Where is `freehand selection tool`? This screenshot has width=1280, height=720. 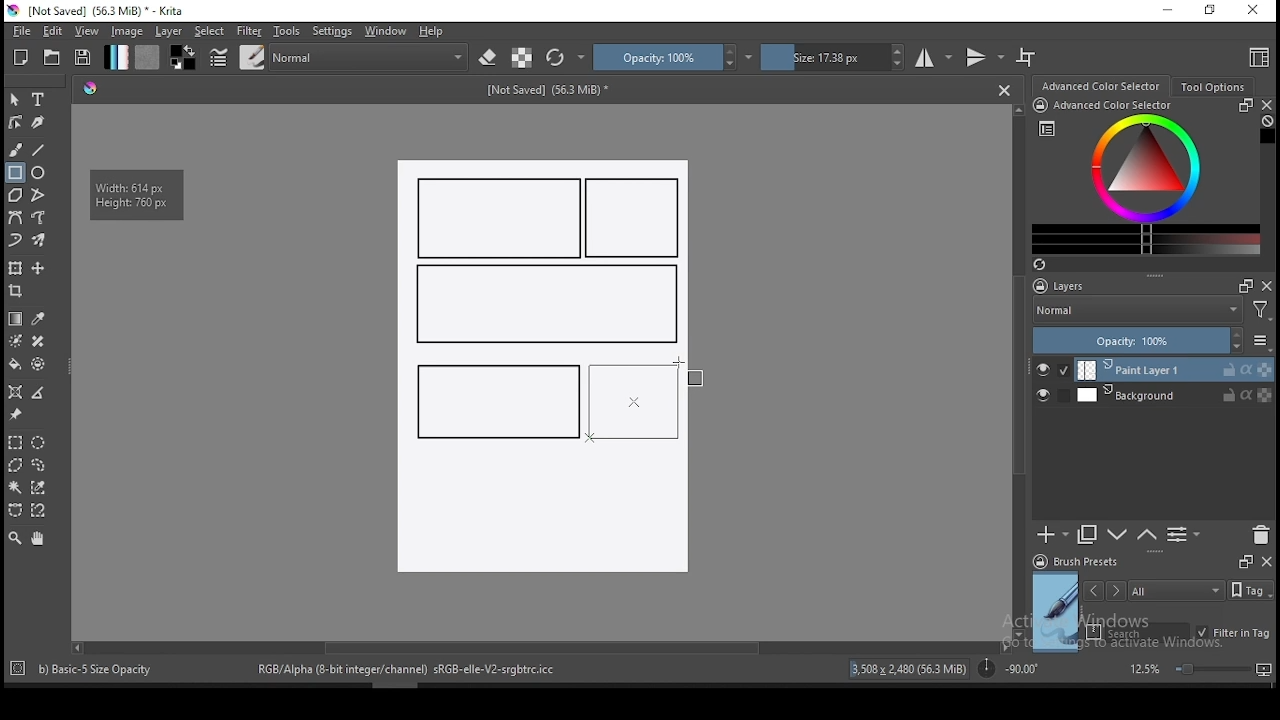 freehand selection tool is located at coordinates (39, 465).